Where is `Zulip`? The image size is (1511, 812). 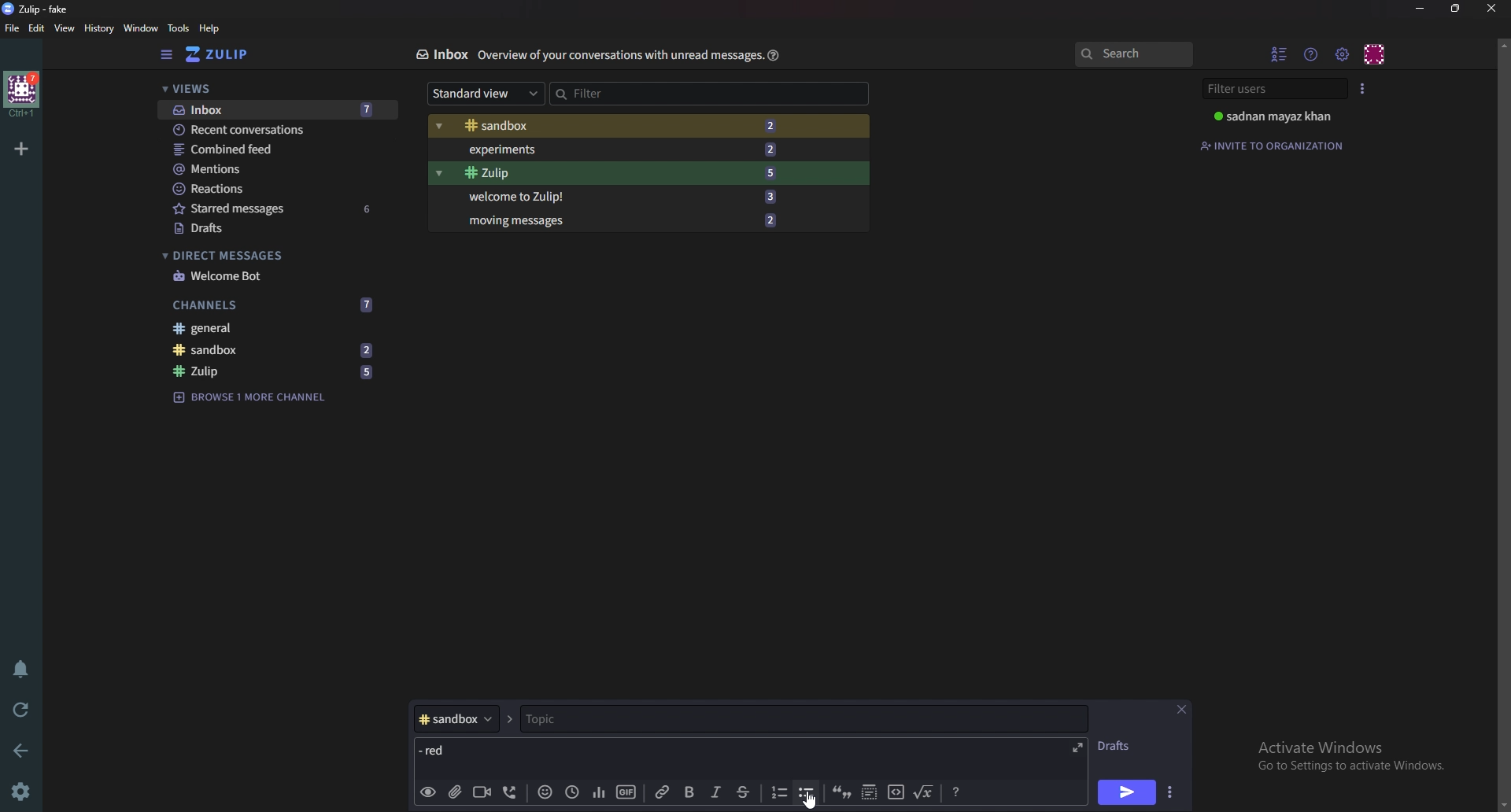
Zulip is located at coordinates (618, 173).